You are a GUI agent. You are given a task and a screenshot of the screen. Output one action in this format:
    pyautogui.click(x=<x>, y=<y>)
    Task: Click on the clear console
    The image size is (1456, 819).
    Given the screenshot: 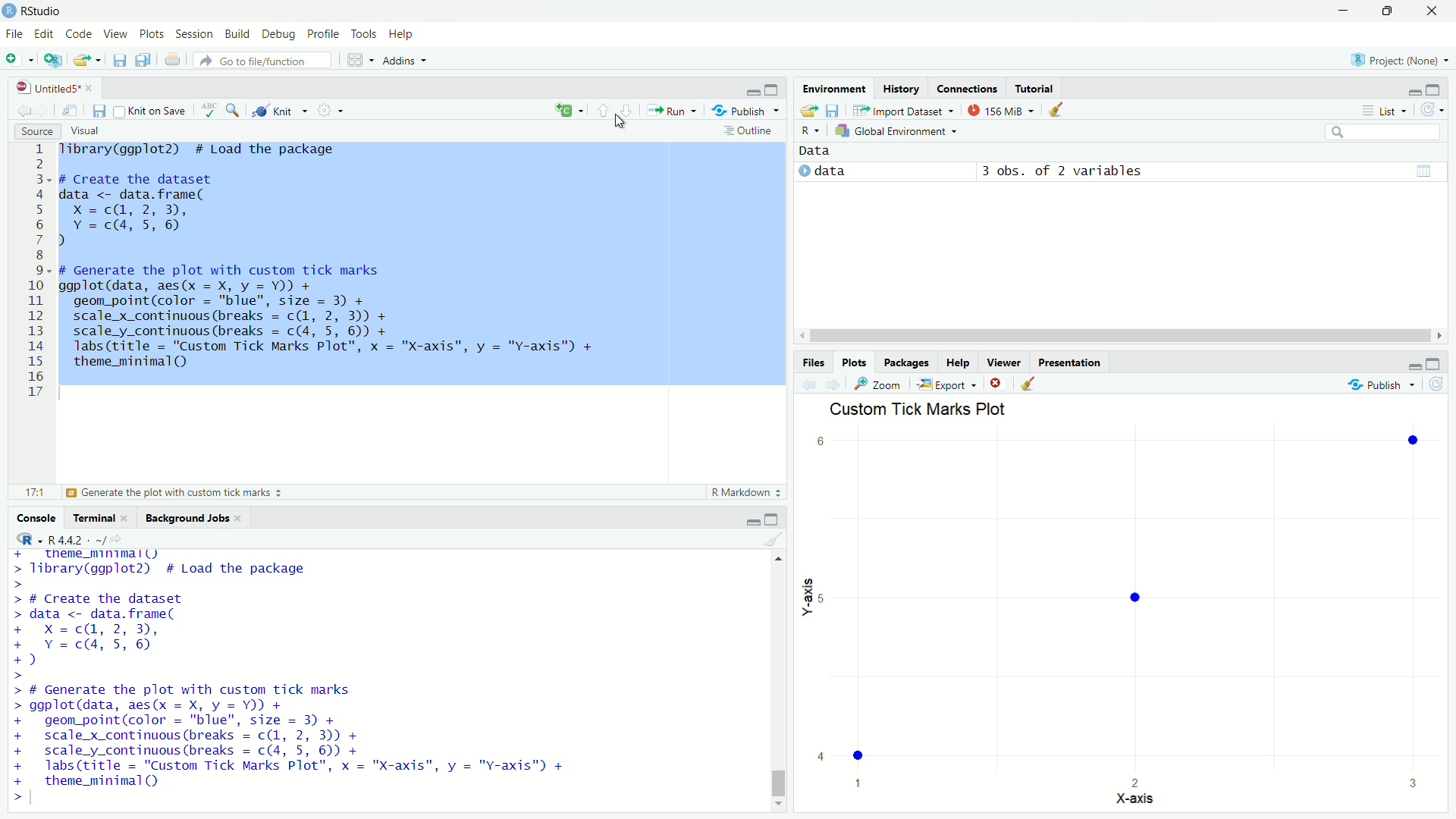 What is the action you would take?
    pyautogui.click(x=773, y=539)
    